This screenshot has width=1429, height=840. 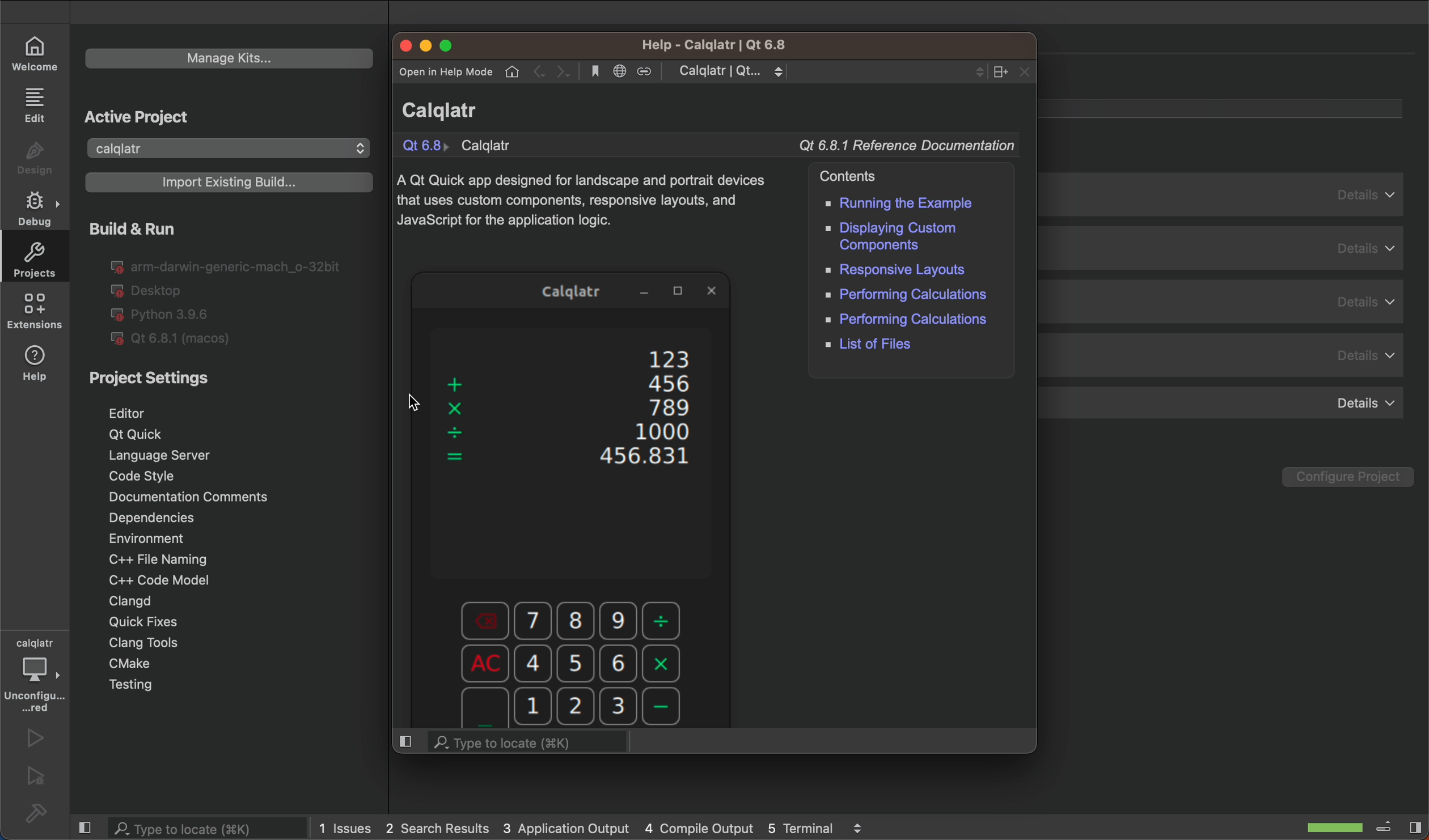 I want to click on Qt 6.81 , so click(x=181, y=342).